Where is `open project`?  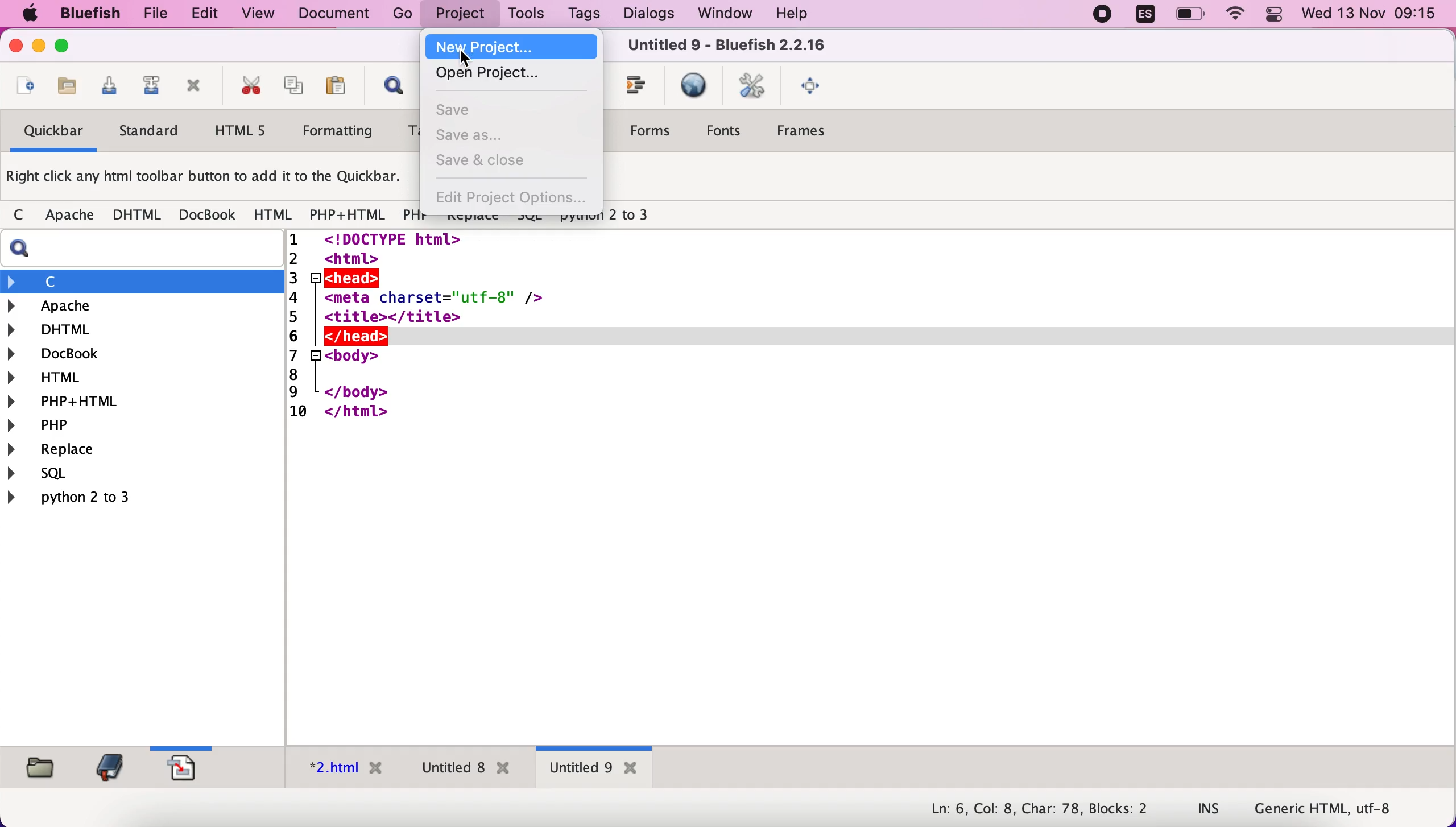 open project is located at coordinates (497, 76).